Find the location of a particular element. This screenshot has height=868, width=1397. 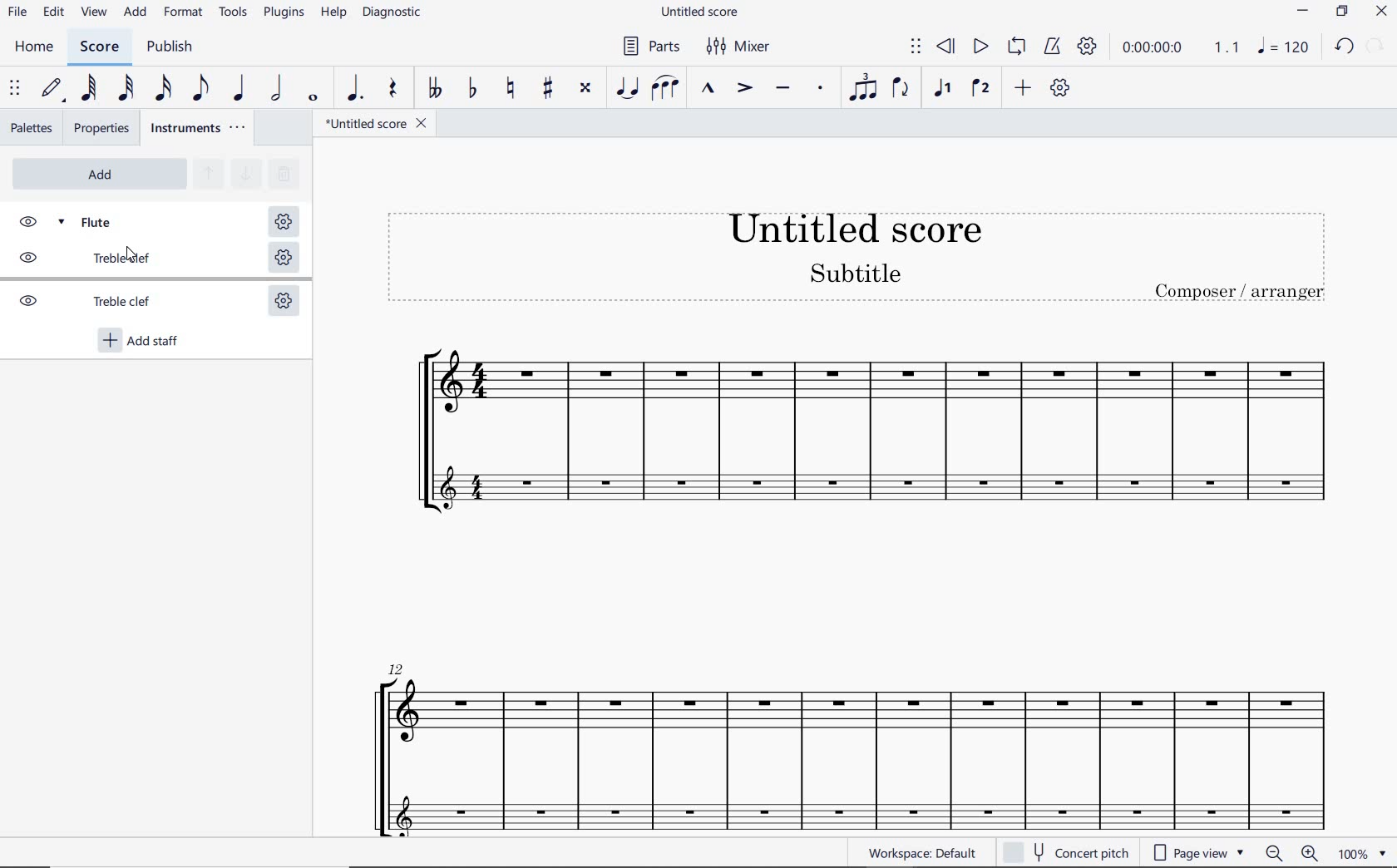

TOGGLE DOUBLE-SHARP is located at coordinates (587, 89).